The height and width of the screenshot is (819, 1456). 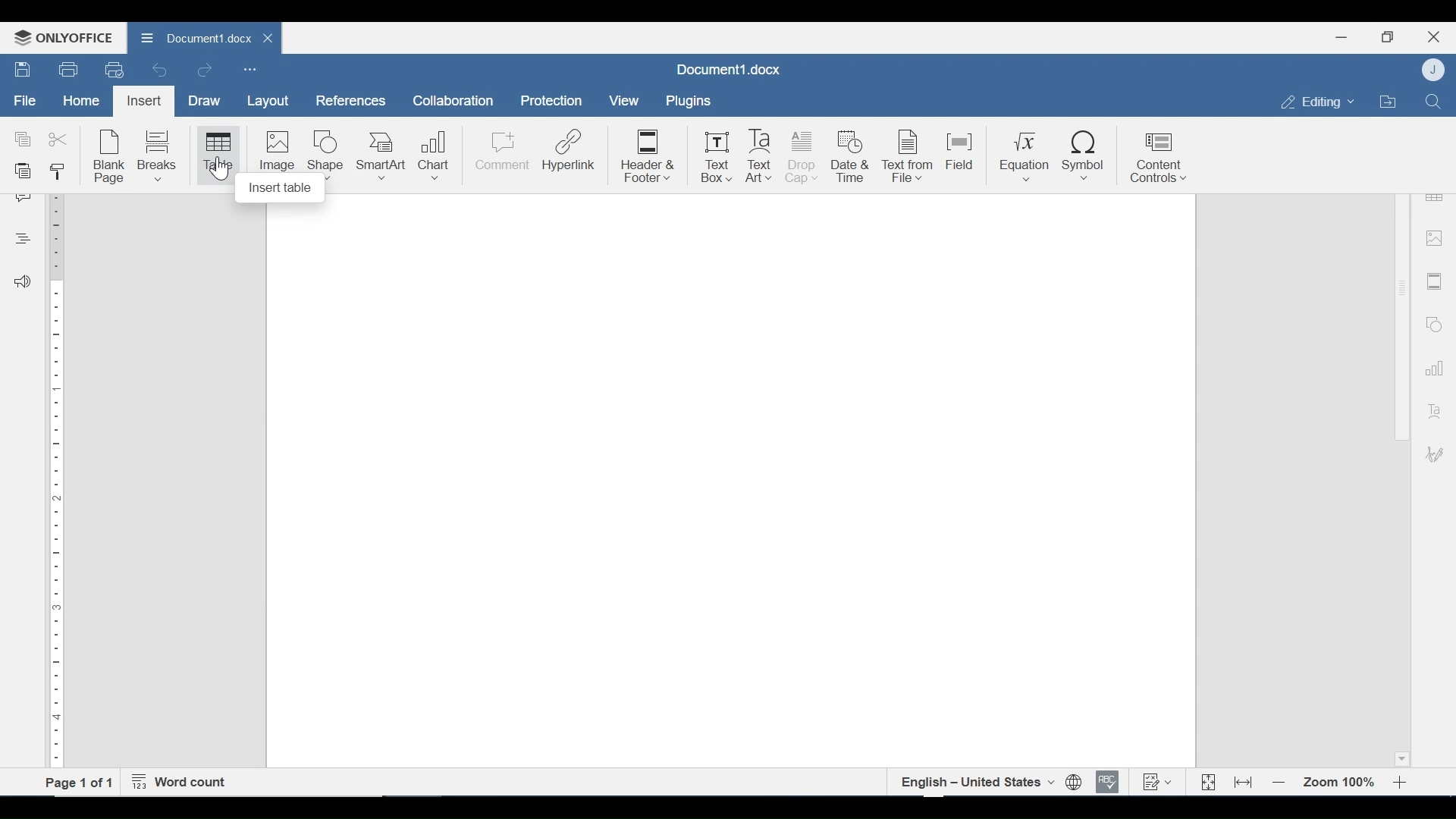 I want to click on Copy Style, so click(x=60, y=171).